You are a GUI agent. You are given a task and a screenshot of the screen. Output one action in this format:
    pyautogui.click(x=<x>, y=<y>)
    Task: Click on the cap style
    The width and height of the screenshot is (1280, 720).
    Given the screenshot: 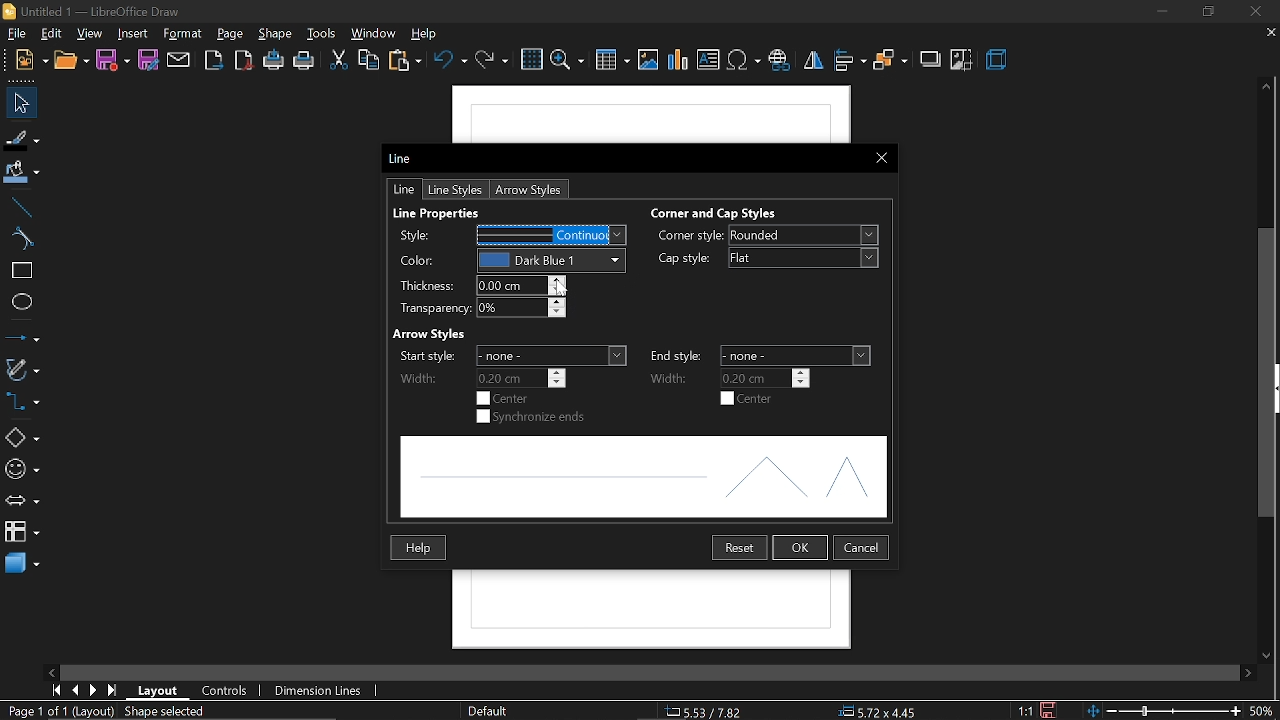 What is the action you would take?
    pyautogui.click(x=806, y=258)
    